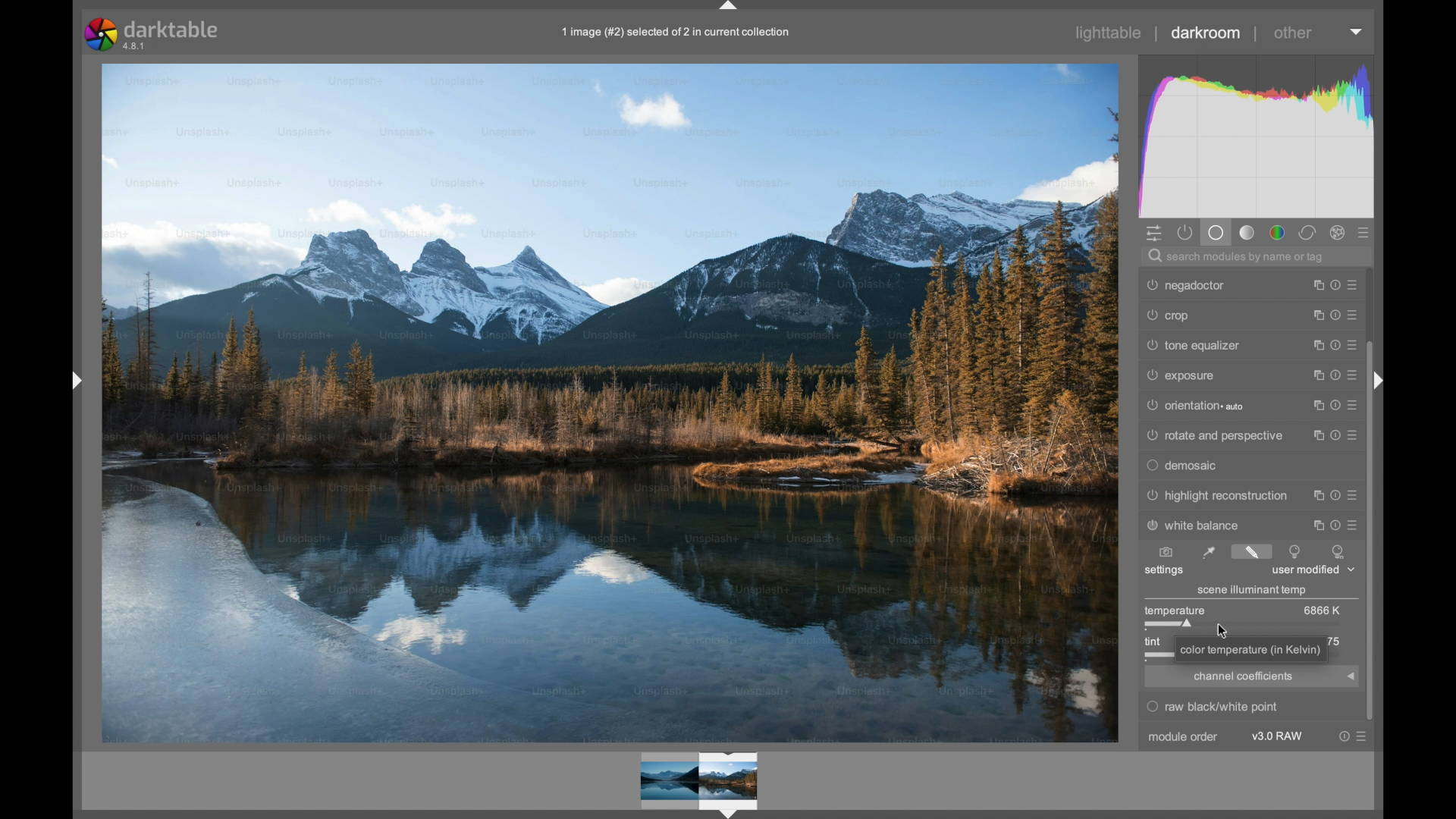 This screenshot has height=819, width=1456. I want to click on reset parameters, so click(1335, 401).